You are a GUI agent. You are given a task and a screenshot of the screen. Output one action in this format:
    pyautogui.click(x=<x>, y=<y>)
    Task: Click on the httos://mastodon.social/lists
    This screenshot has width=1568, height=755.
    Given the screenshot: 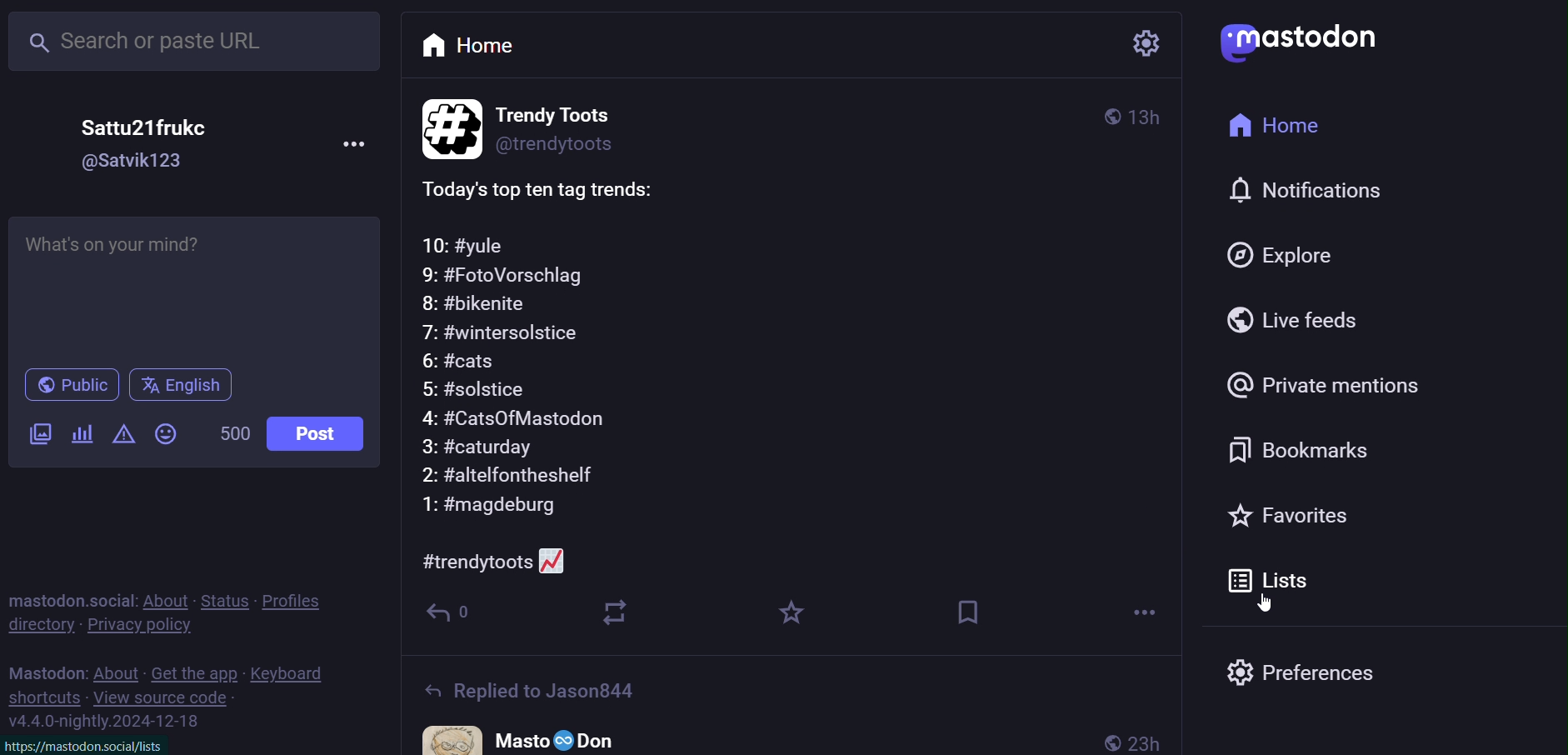 What is the action you would take?
    pyautogui.click(x=105, y=742)
    